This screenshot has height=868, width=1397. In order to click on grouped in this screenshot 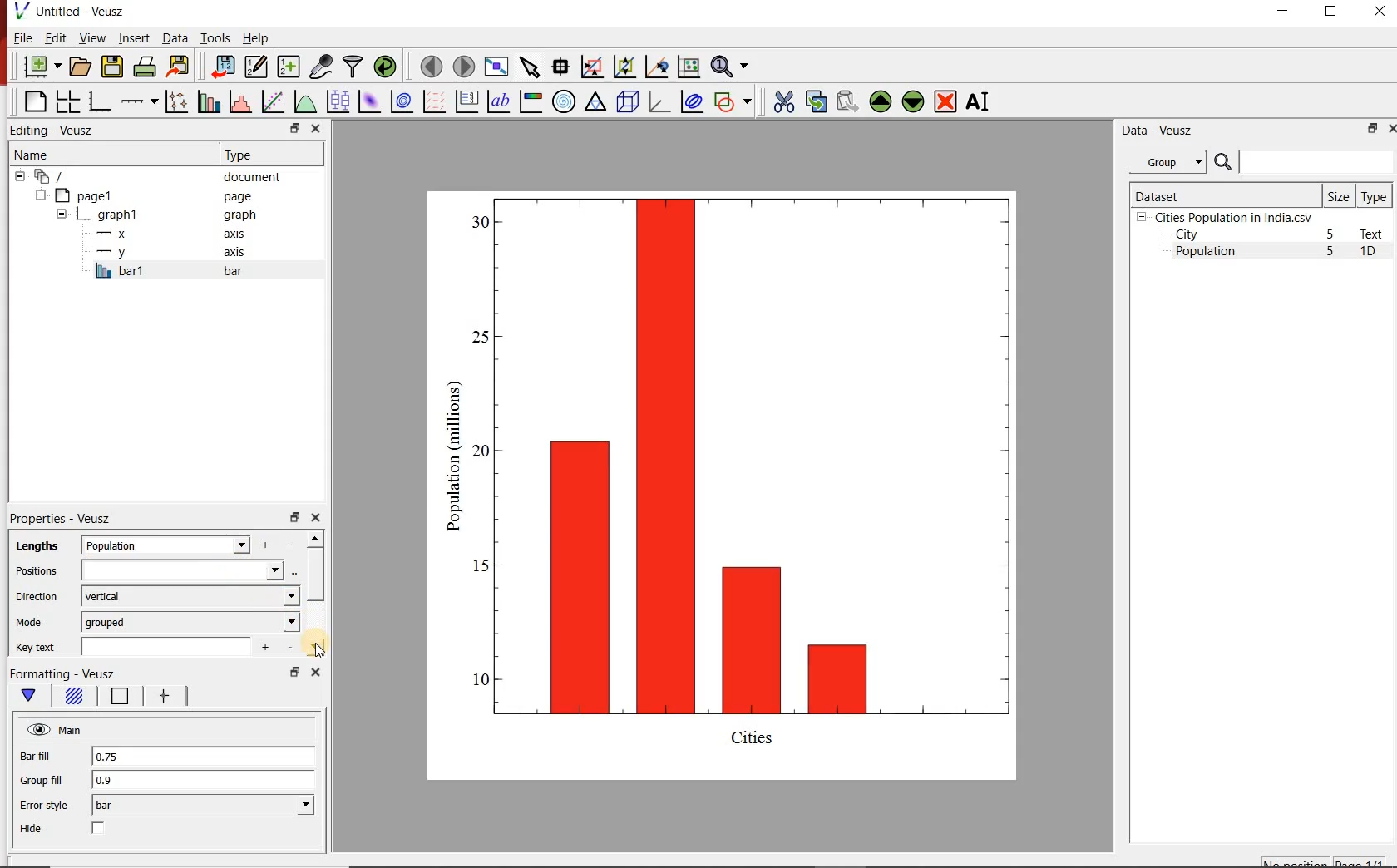, I will do `click(191, 621)`.